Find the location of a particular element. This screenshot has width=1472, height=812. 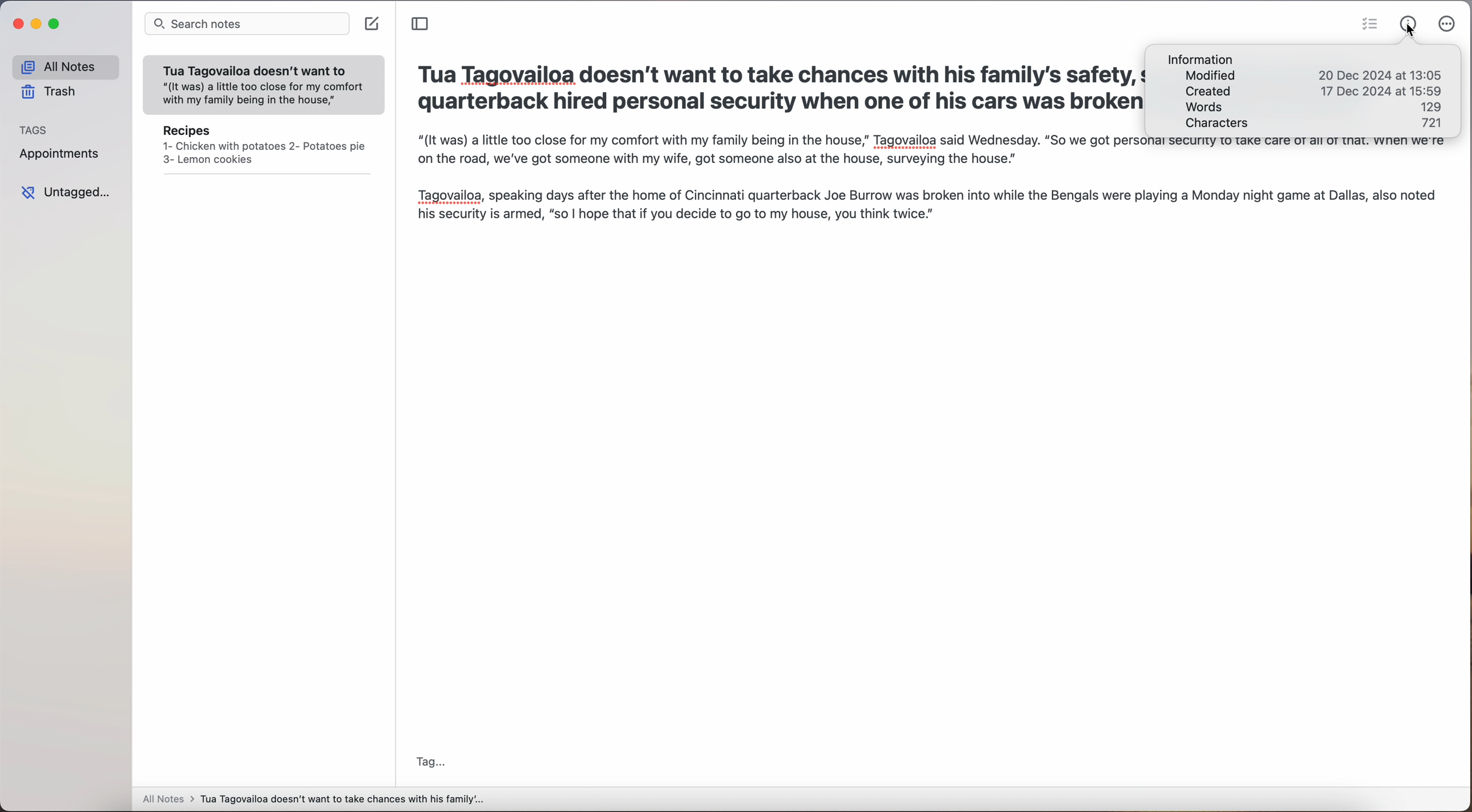

close Simplenote is located at coordinates (17, 23).